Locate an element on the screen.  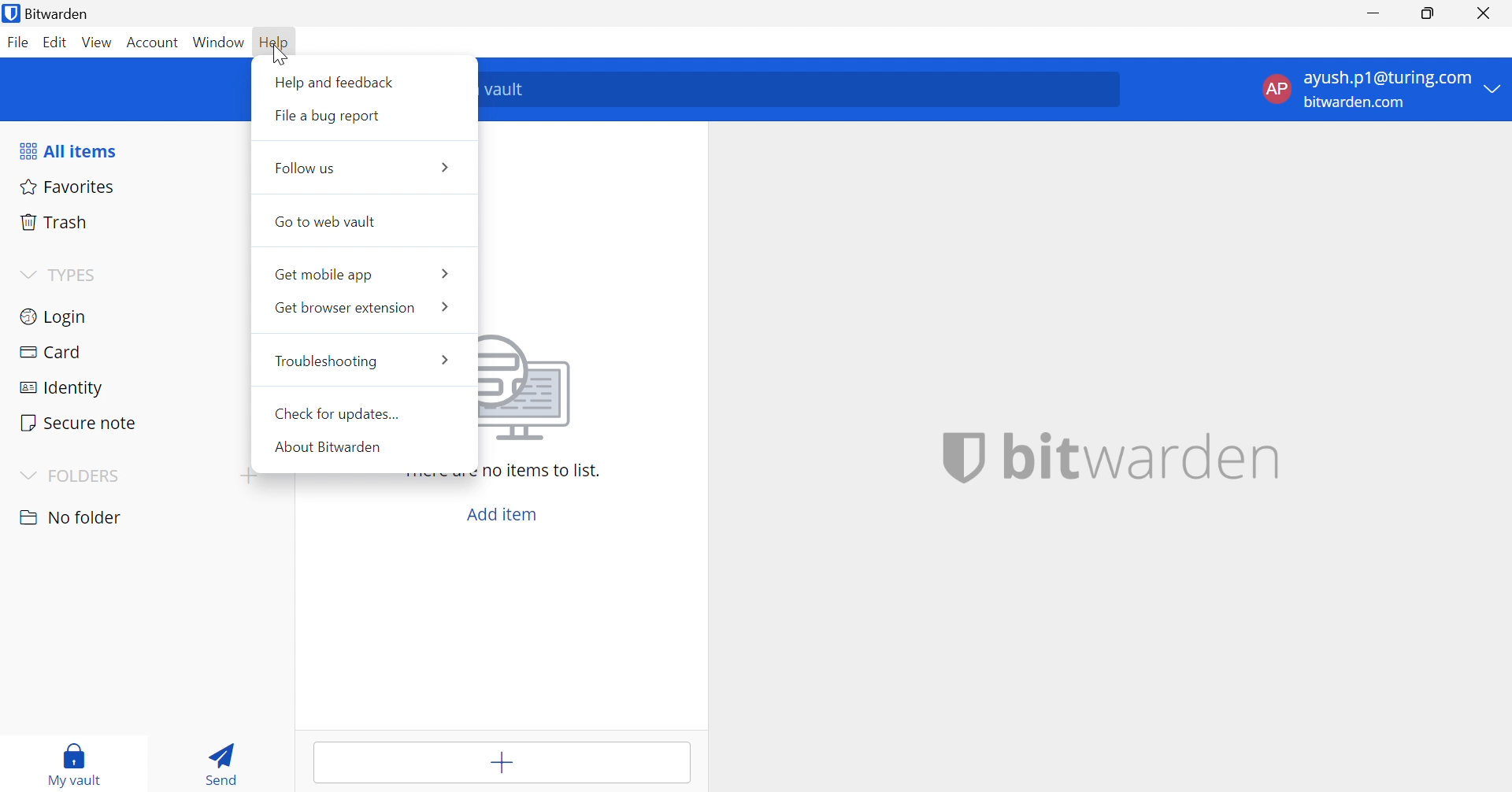
Cursor is located at coordinates (280, 56).